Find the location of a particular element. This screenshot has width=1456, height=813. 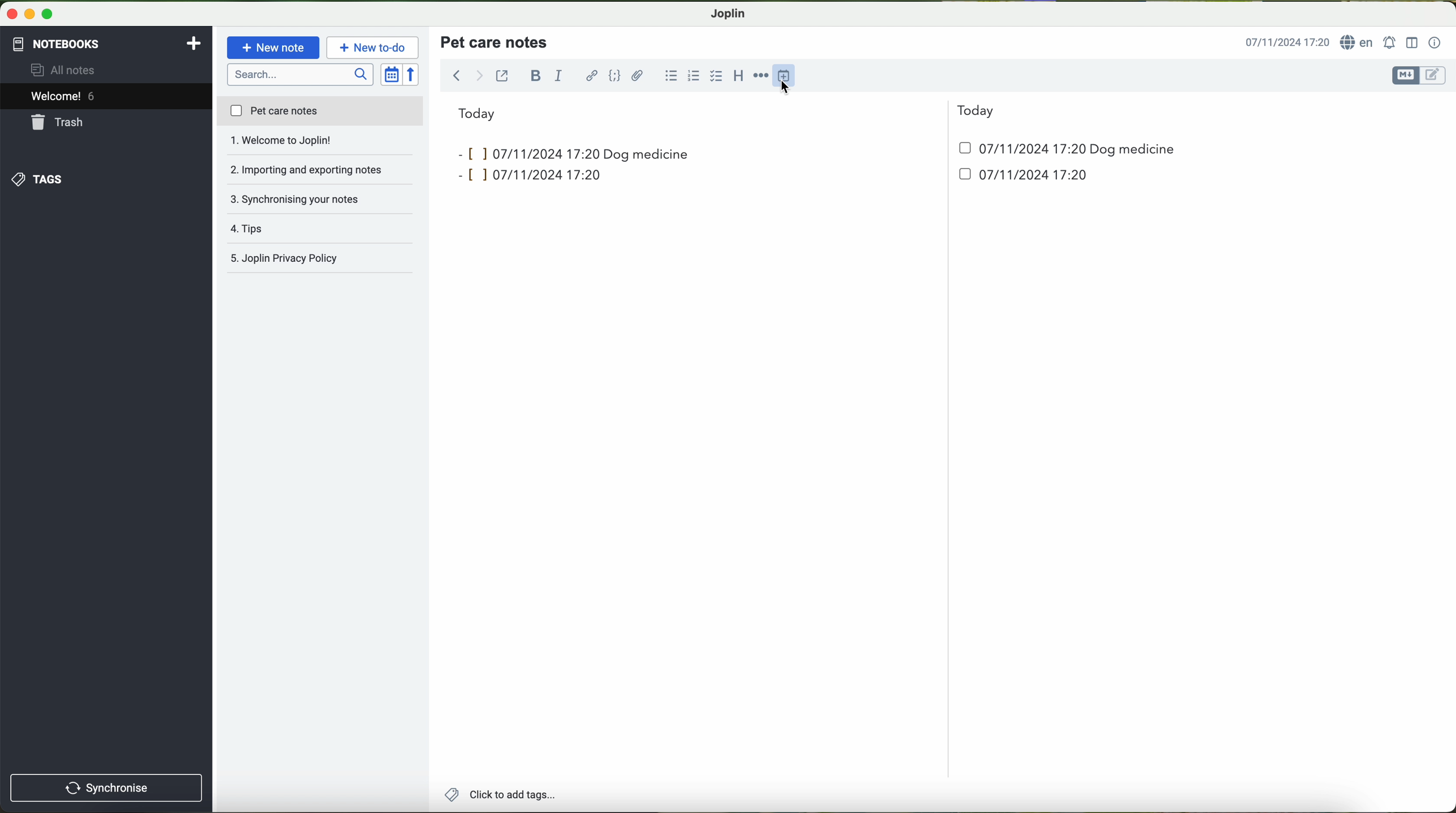

bold is located at coordinates (536, 75).